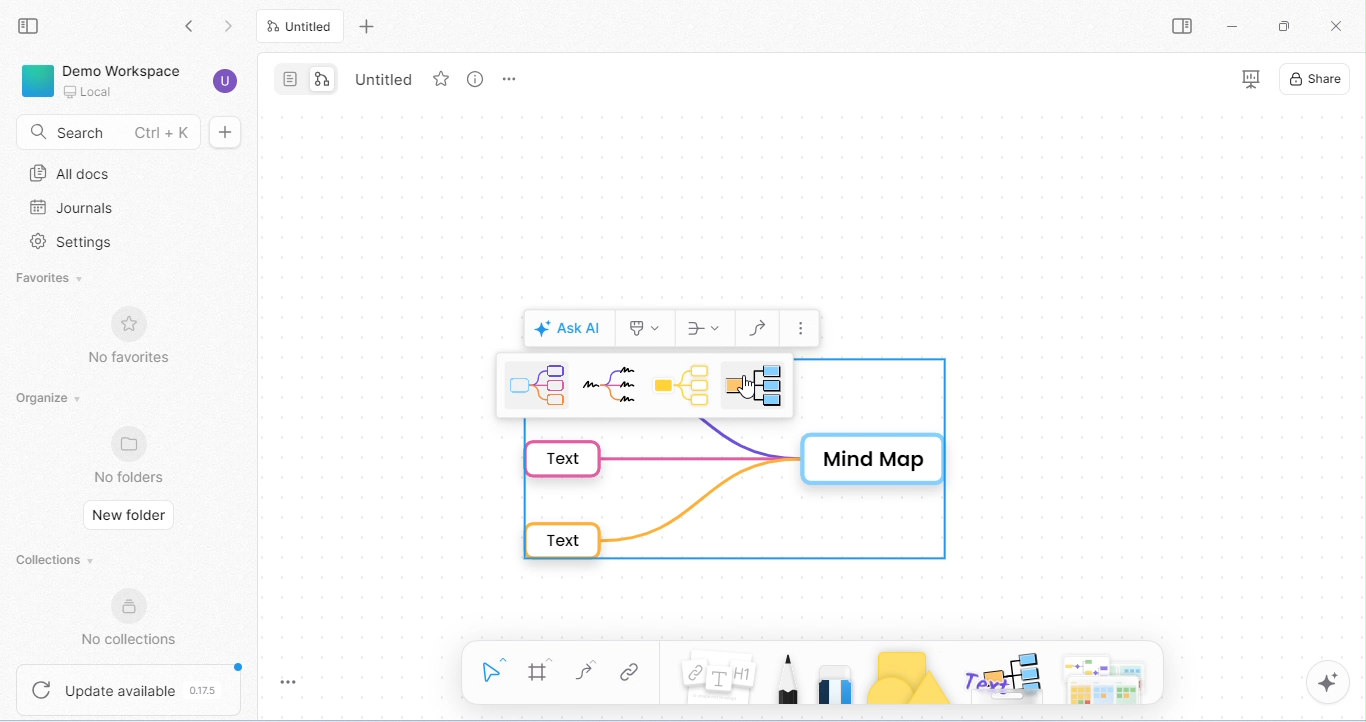  I want to click on new folder, so click(128, 513).